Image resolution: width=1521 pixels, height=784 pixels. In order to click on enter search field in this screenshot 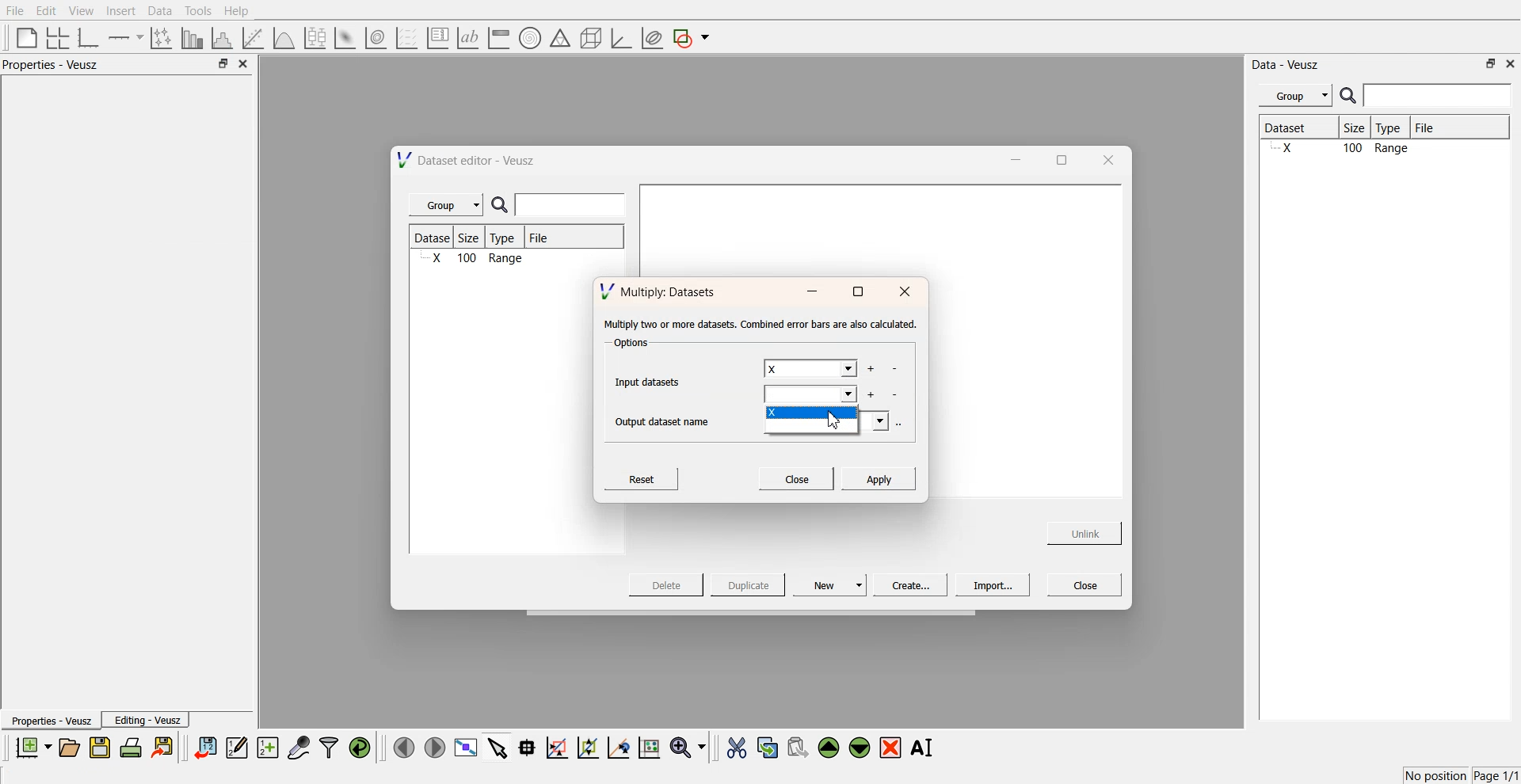, I will do `click(1439, 96)`.